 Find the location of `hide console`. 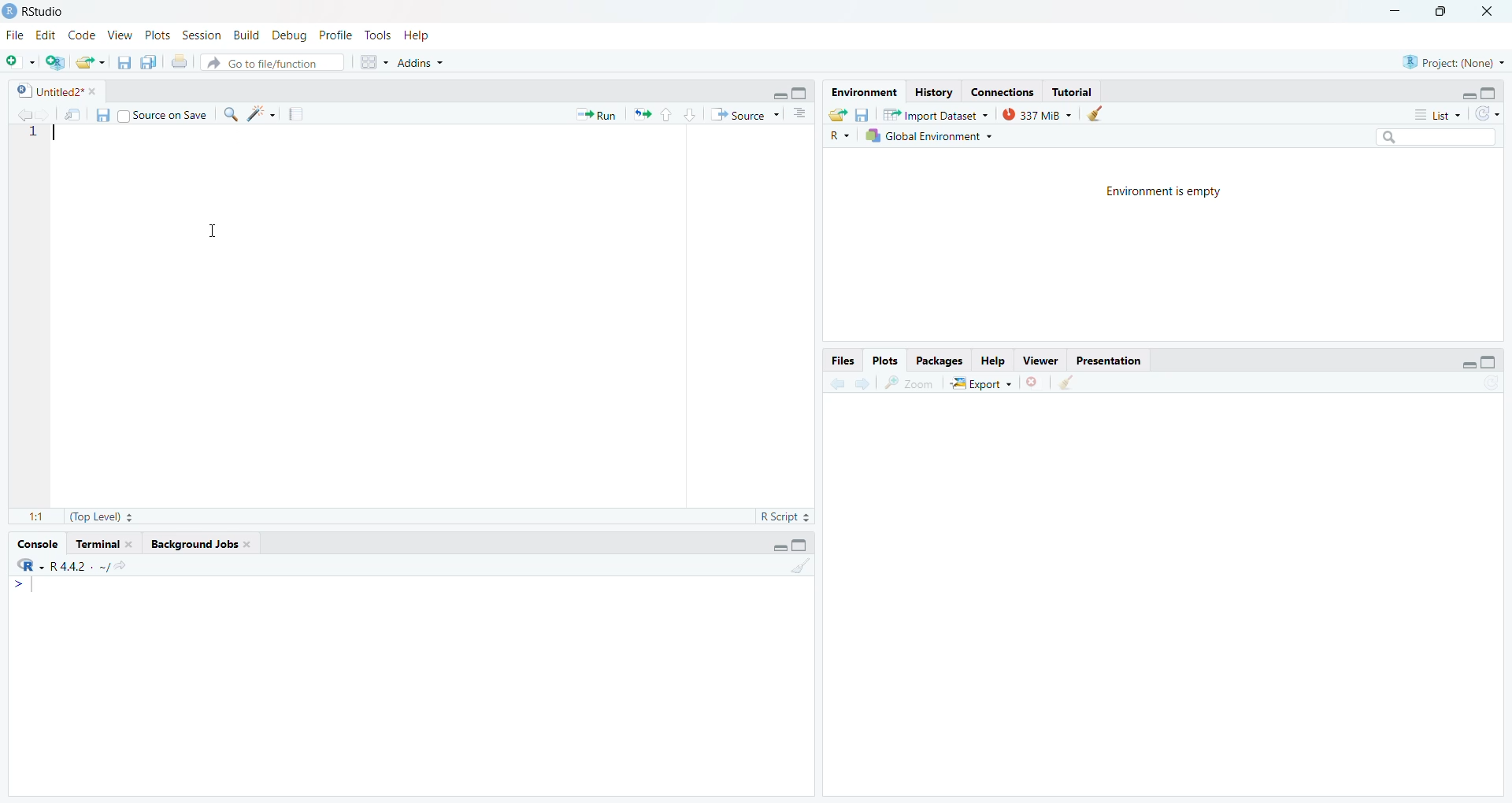

hide console is located at coordinates (1490, 361).